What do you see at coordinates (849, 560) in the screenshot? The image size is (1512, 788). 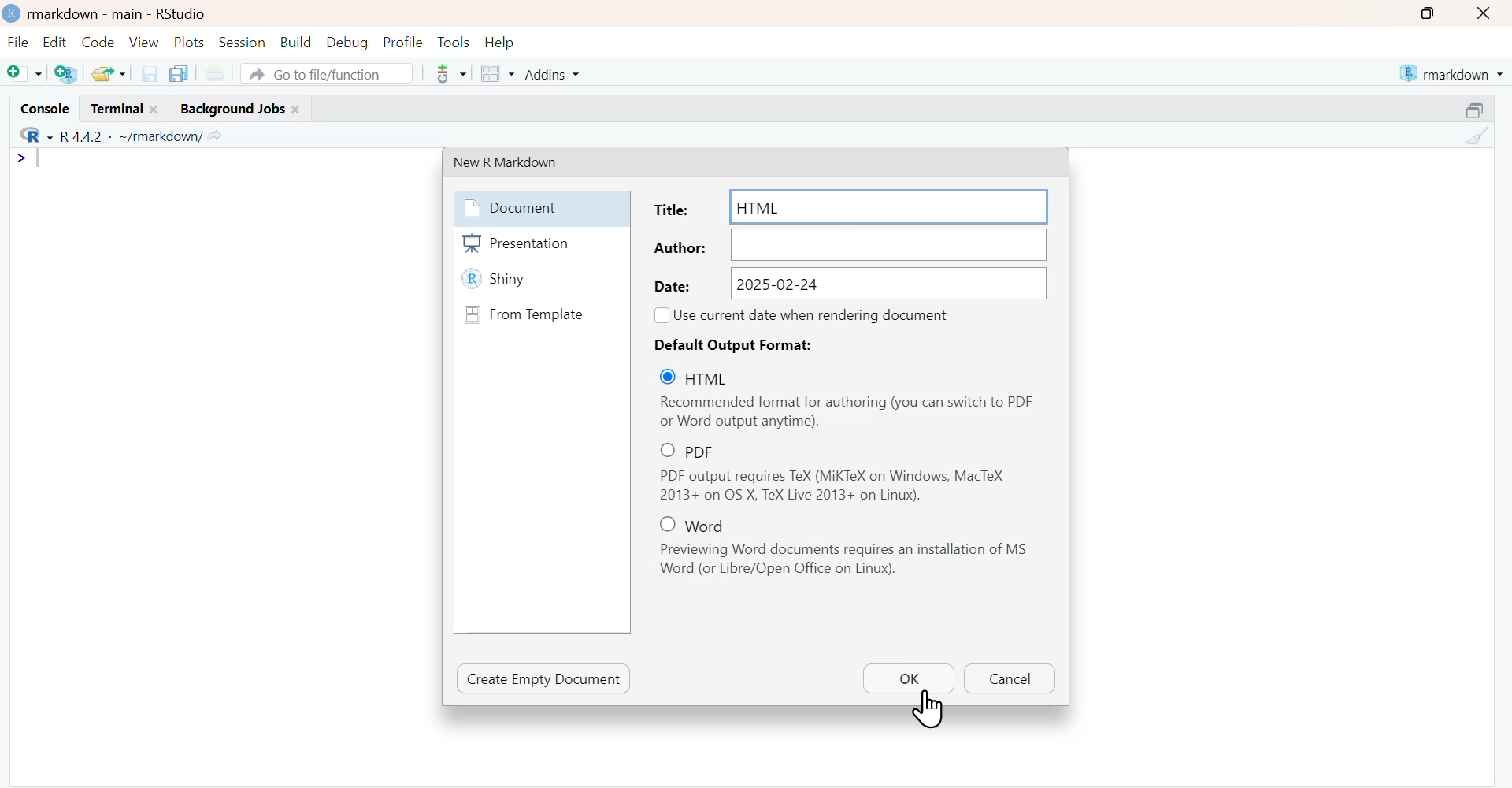 I see `Previewing Word documents requires an installation of MS
Word (or Libre/Open Office on Linux).` at bounding box center [849, 560].